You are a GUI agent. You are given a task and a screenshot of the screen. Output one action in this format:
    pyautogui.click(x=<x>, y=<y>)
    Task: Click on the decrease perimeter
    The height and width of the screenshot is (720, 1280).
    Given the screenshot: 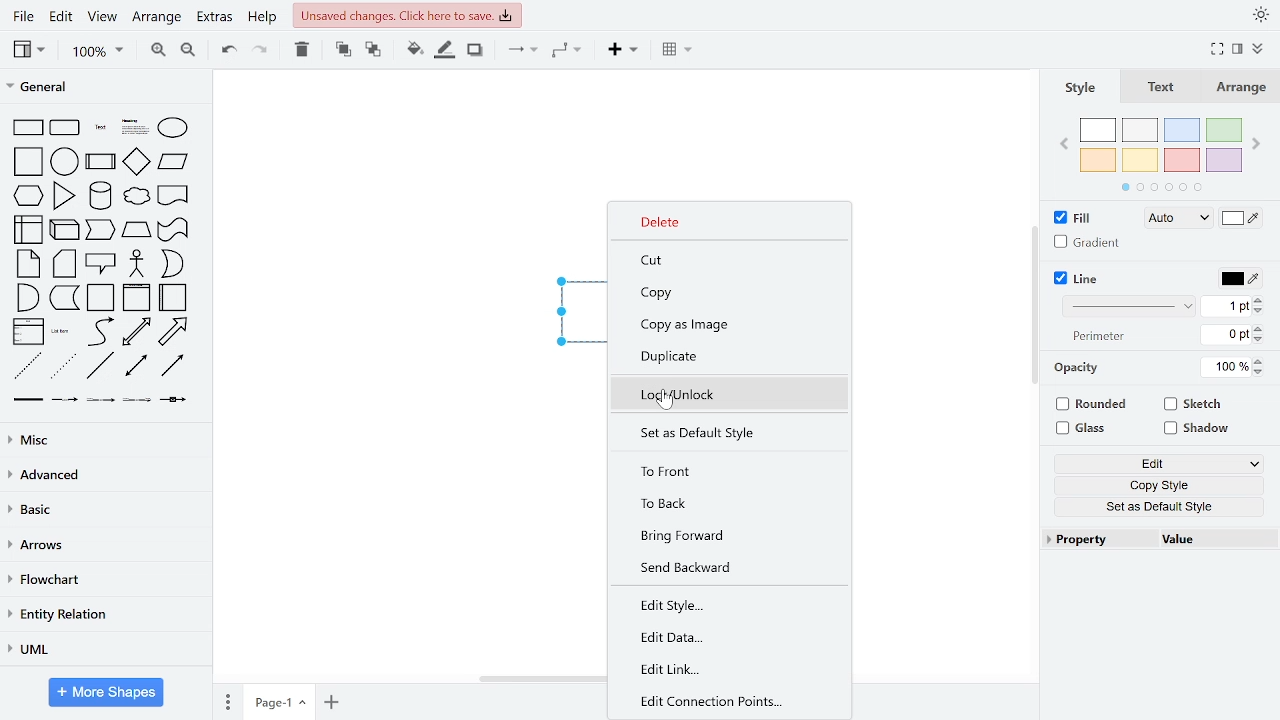 What is the action you would take?
    pyautogui.click(x=1261, y=340)
    